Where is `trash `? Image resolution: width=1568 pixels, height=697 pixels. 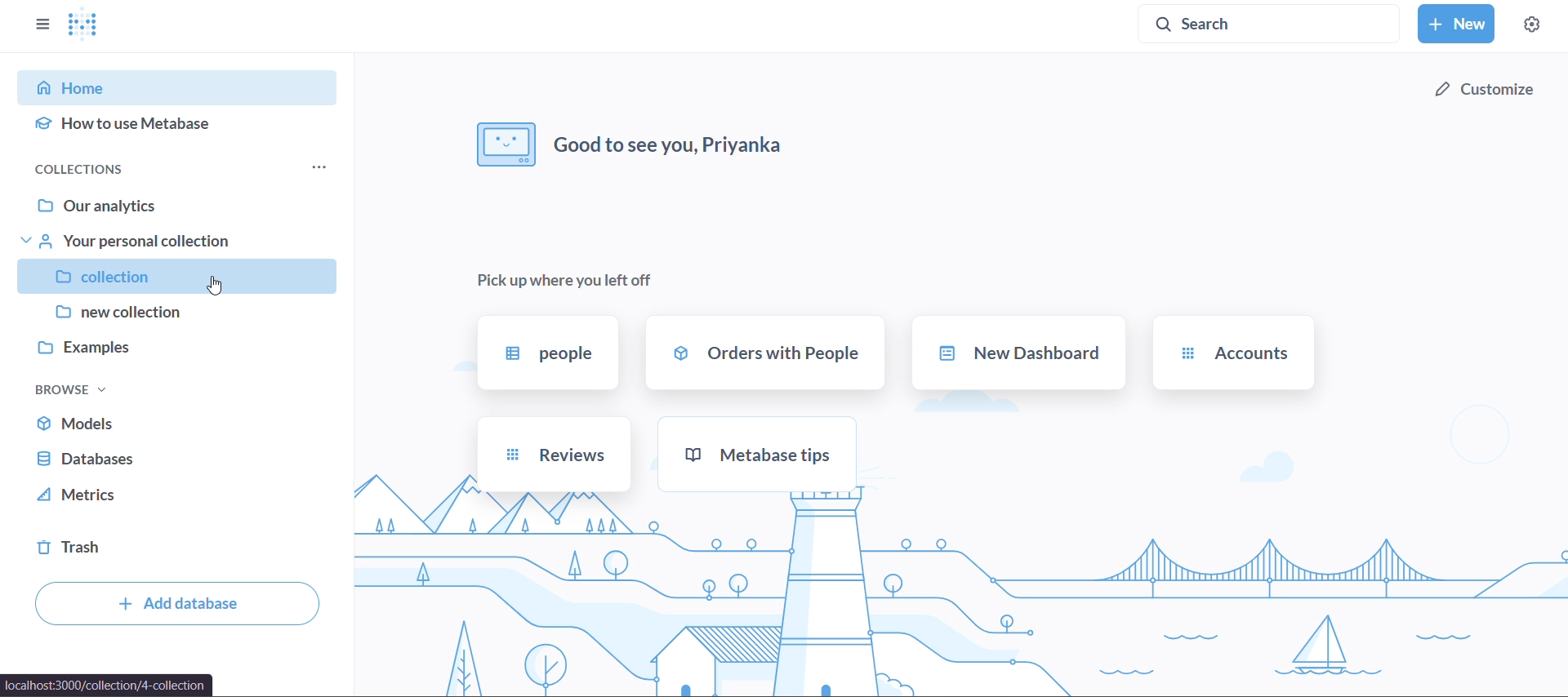 trash  is located at coordinates (180, 551).